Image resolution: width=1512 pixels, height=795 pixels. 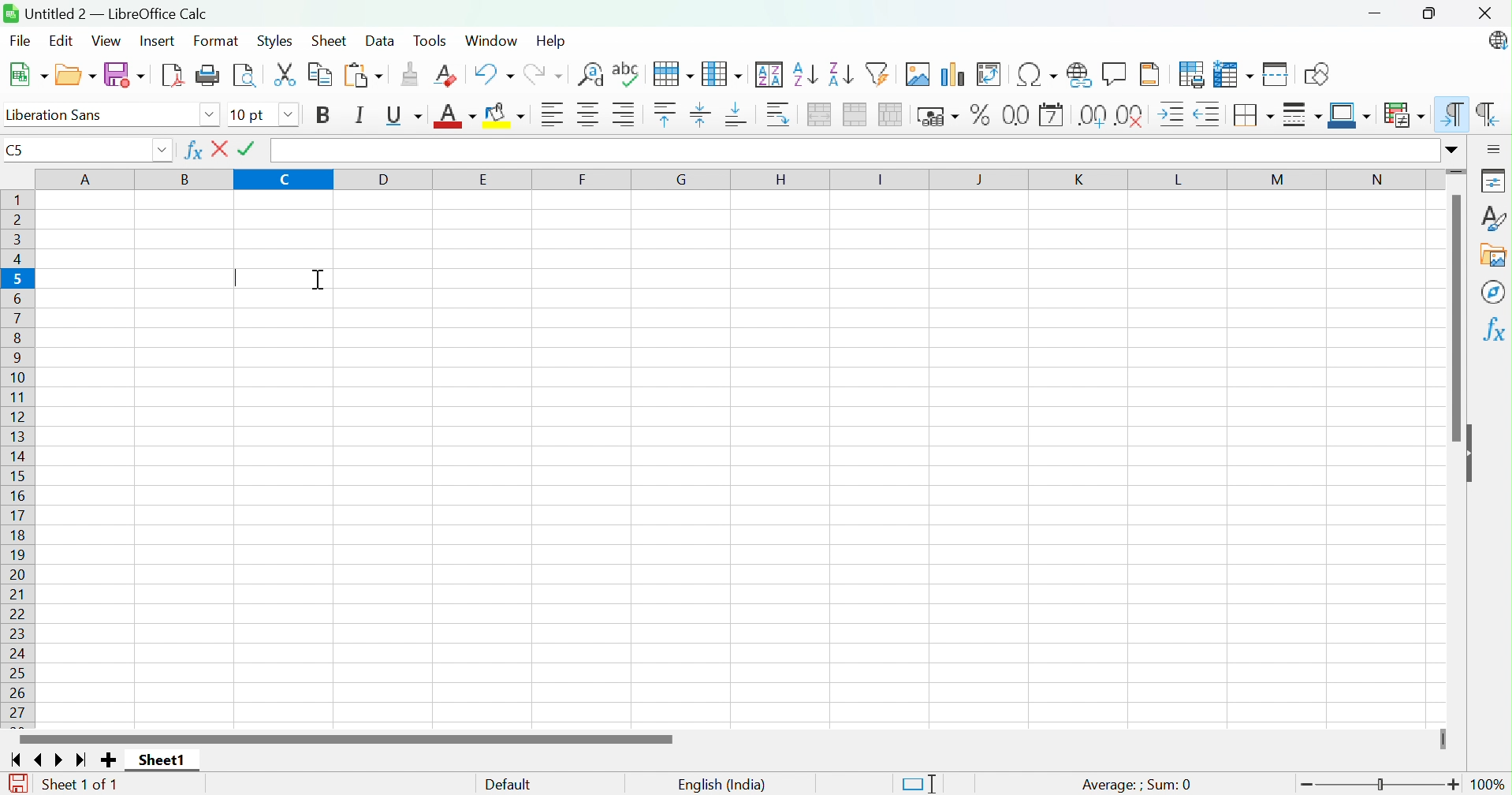 I want to click on Align center, so click(x=590, y=115).